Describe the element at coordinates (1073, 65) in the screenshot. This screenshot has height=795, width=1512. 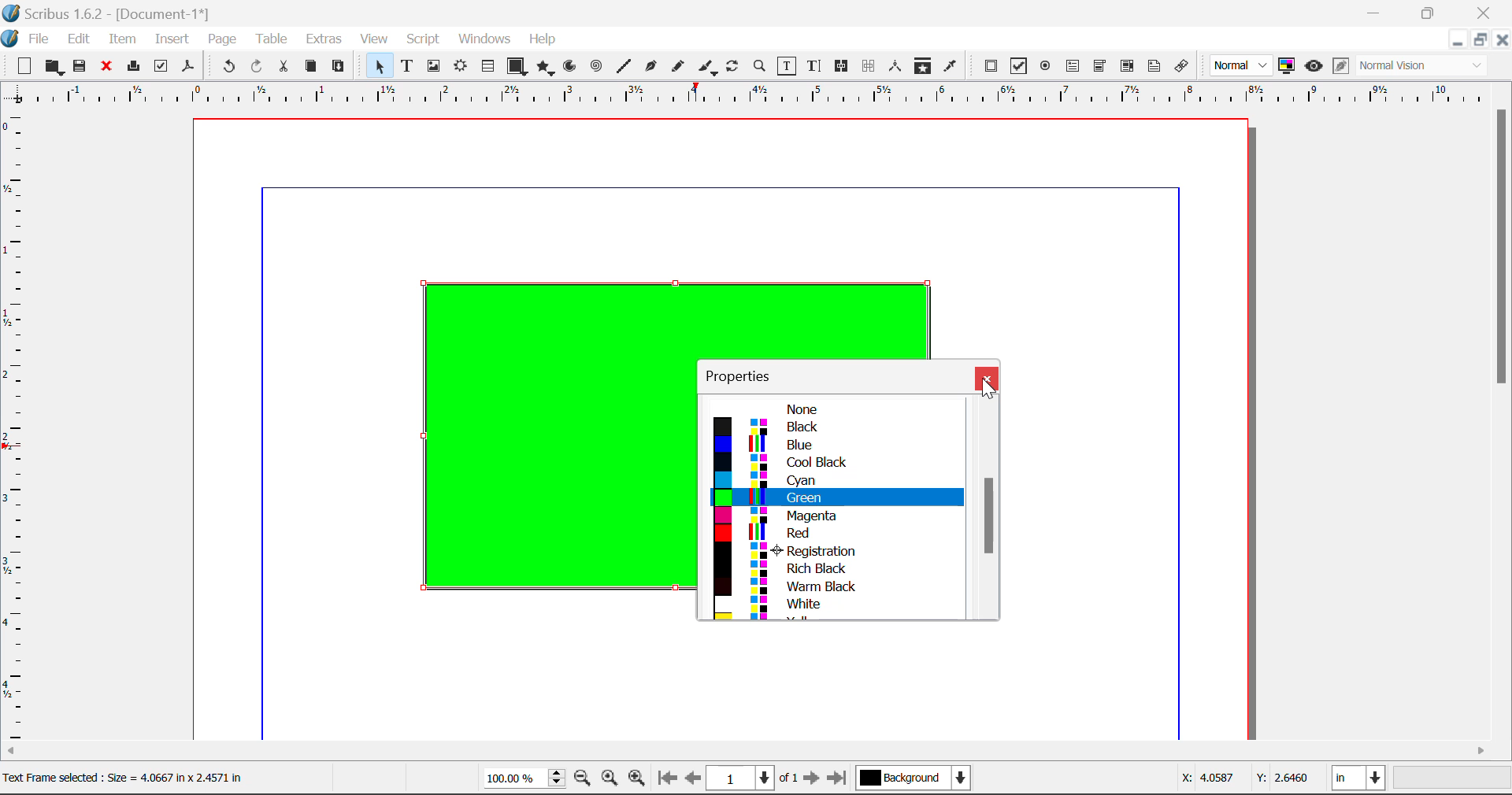
I see `Pdf Text Field` at that location.